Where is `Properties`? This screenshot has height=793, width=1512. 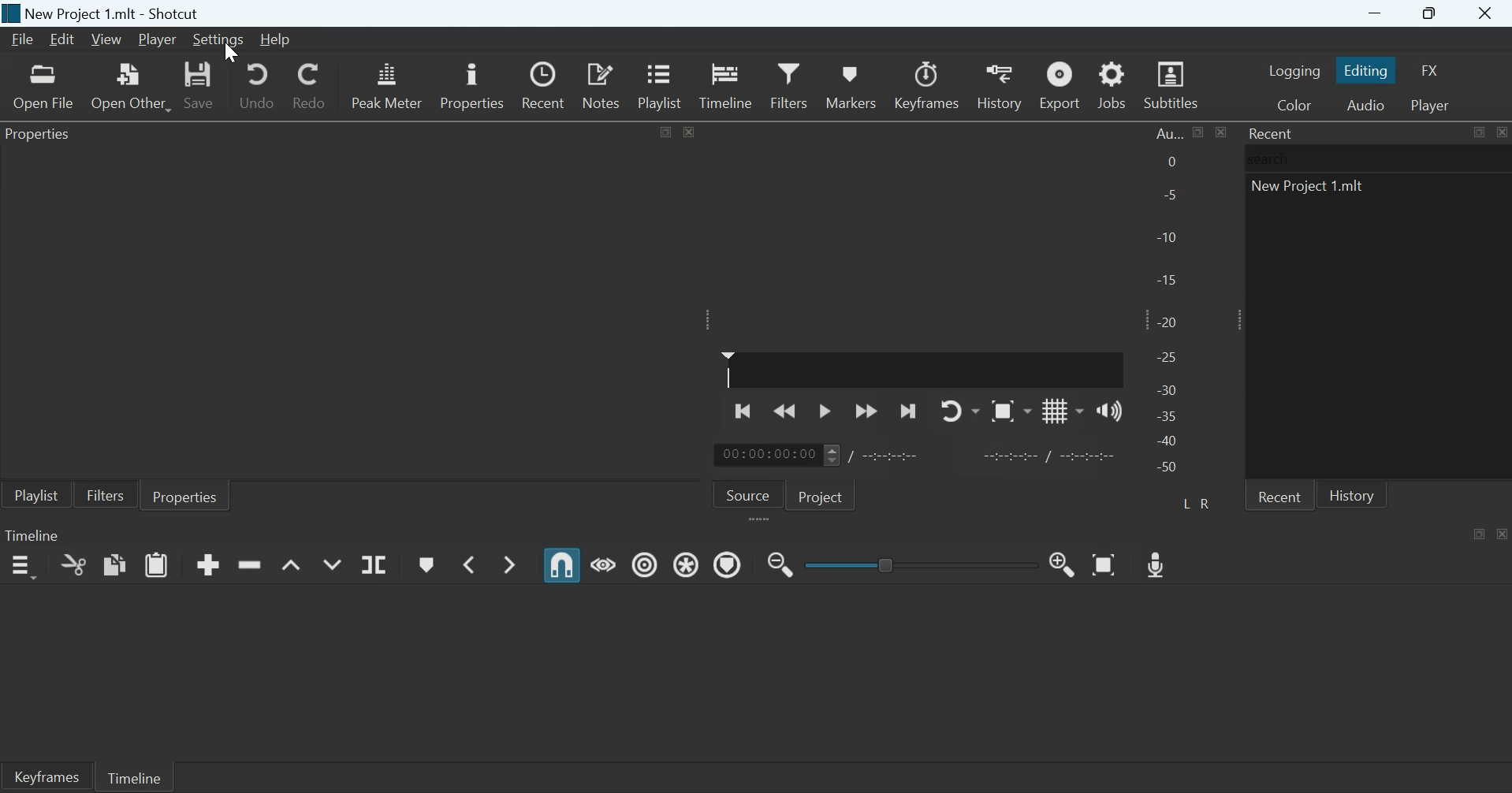
Properties is located at coordinates (471, 84).